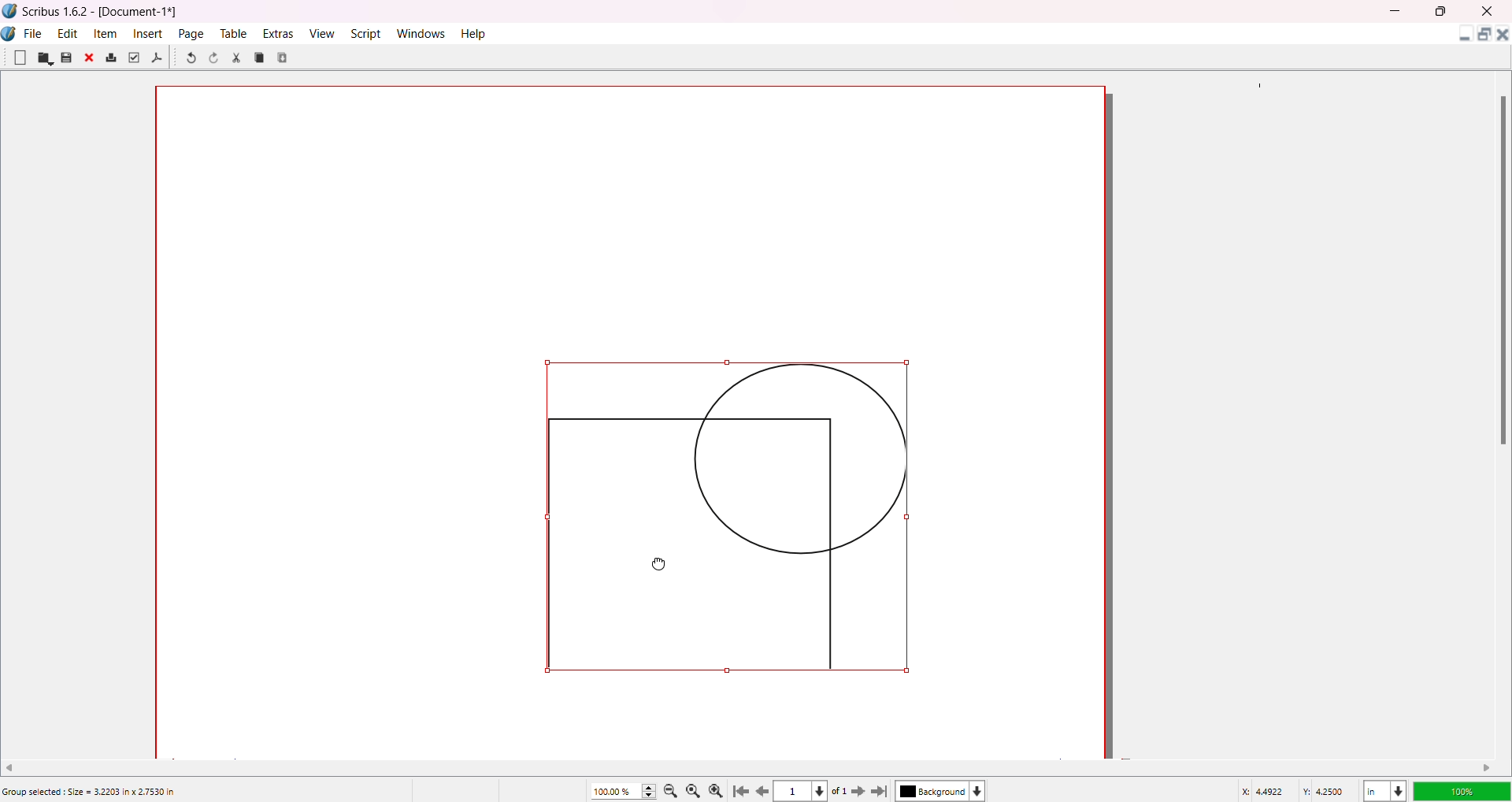 The image size is (1512, 802). I want to click on Extras, so click(279, 33).